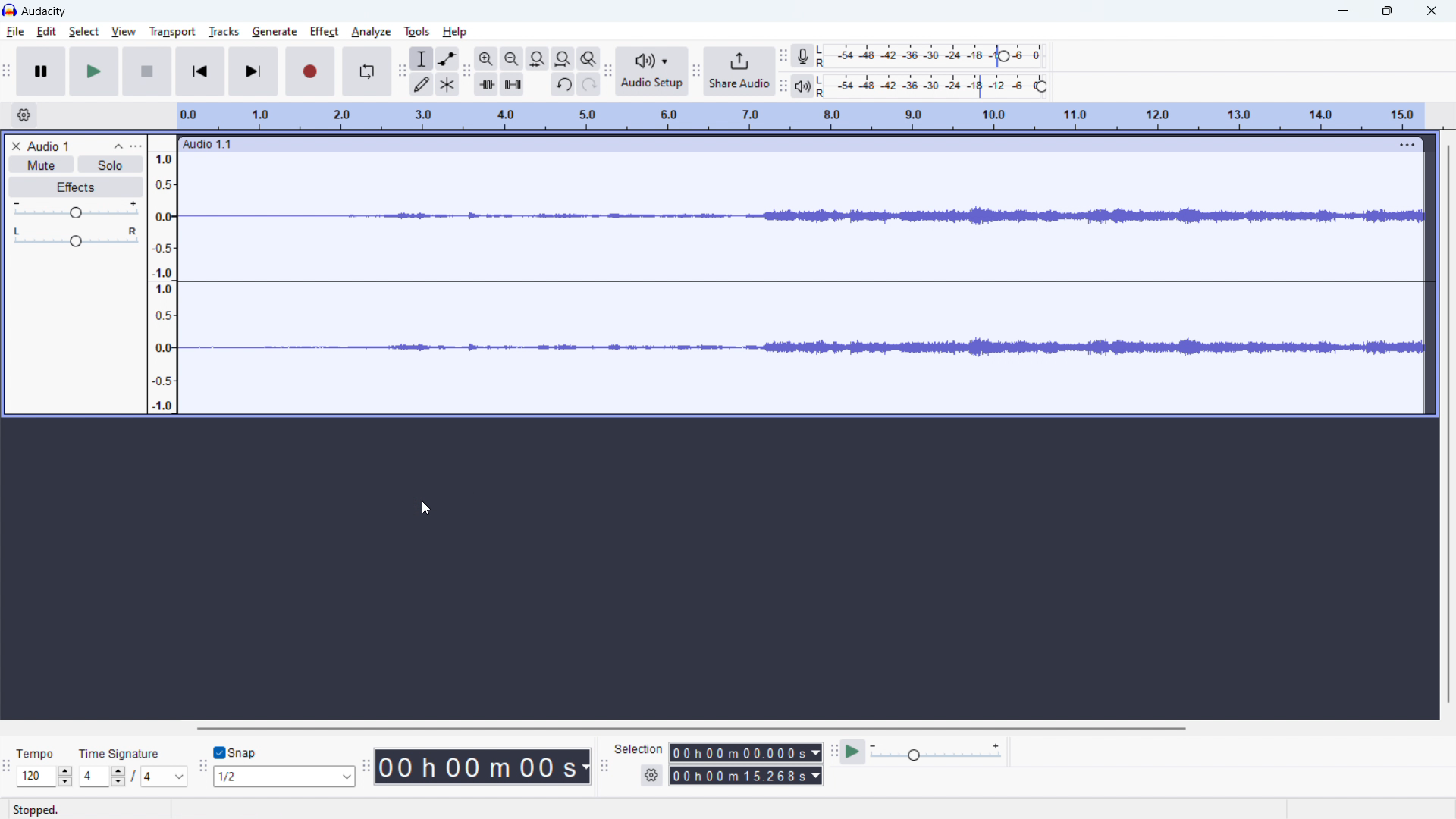  Describe the element at coordinates (422, 83) in the screenshot. I see `draw tool` at that location.